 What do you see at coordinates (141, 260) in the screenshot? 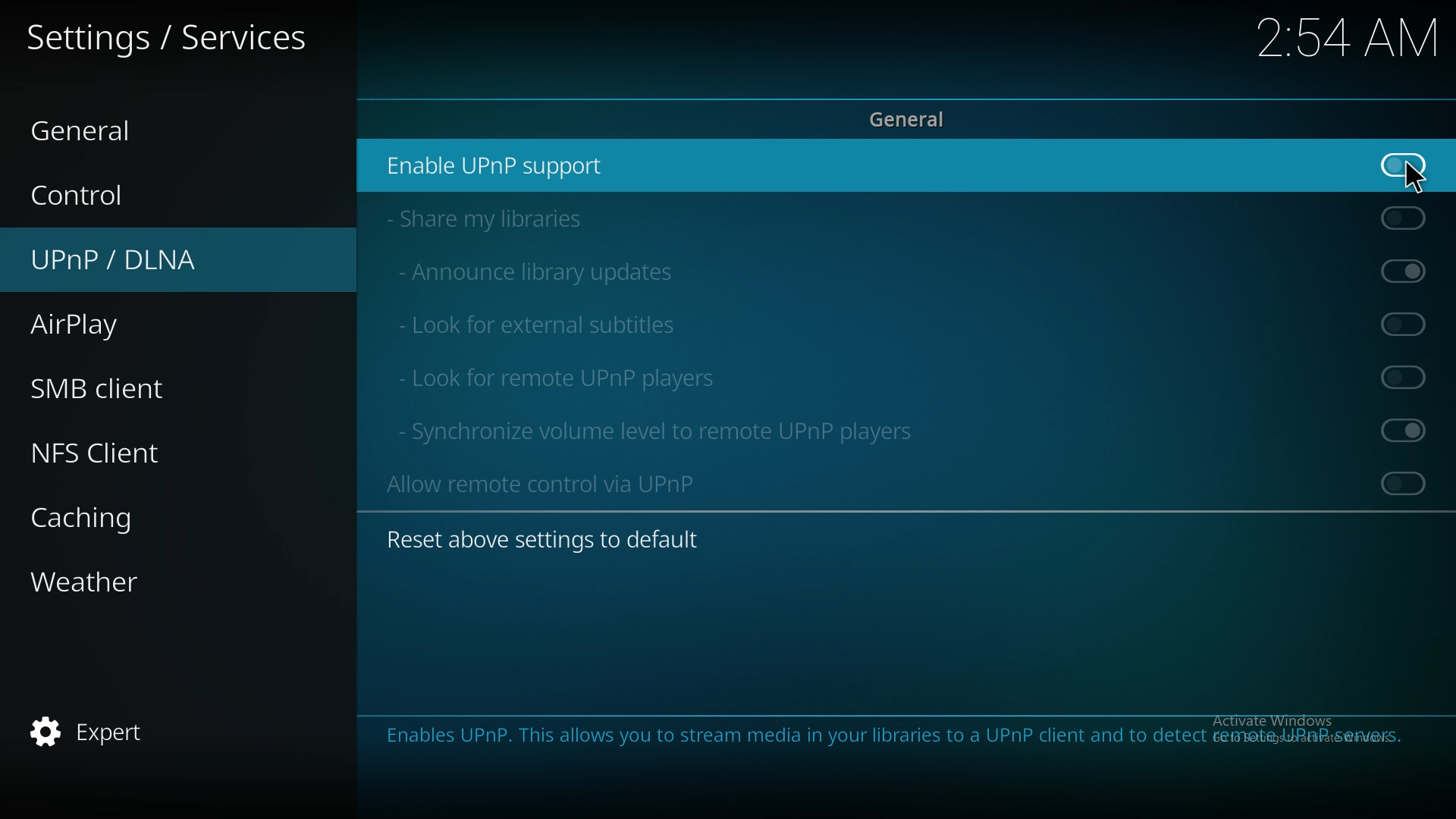
I see `upnp/dlna` at bounding box center [141, 260].